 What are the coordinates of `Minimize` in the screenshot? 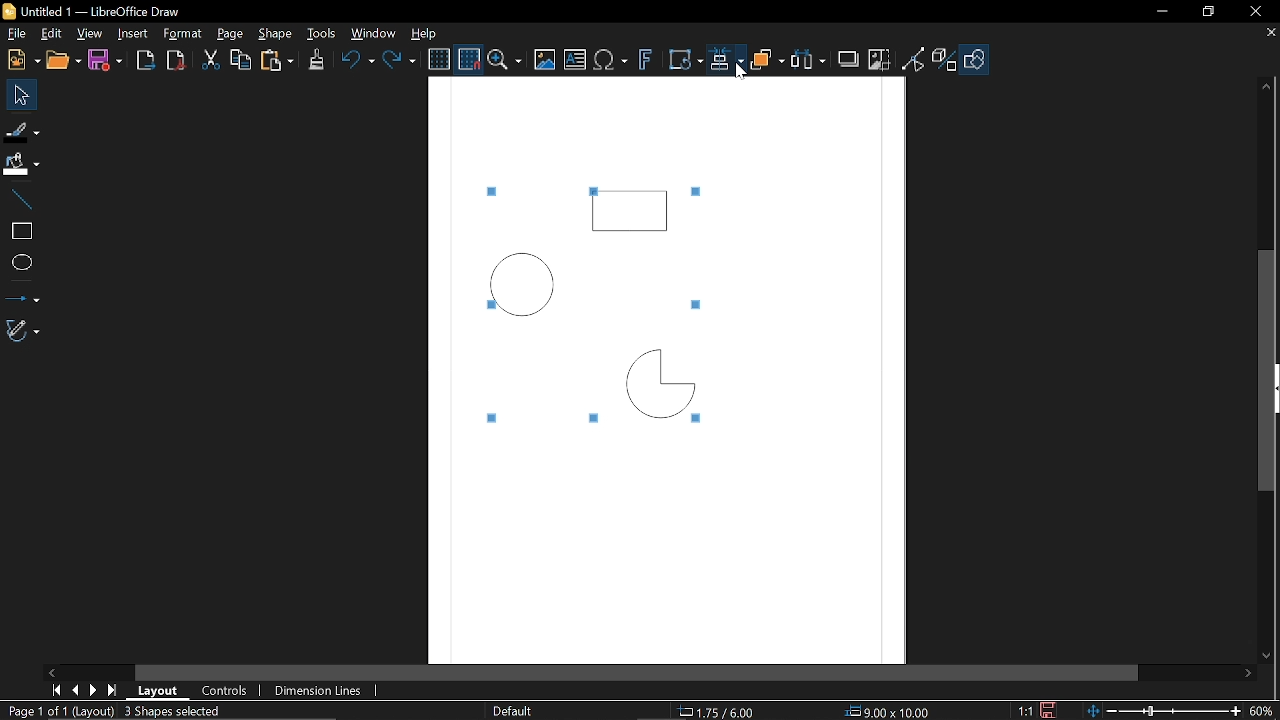 It's located at (1161, 11).